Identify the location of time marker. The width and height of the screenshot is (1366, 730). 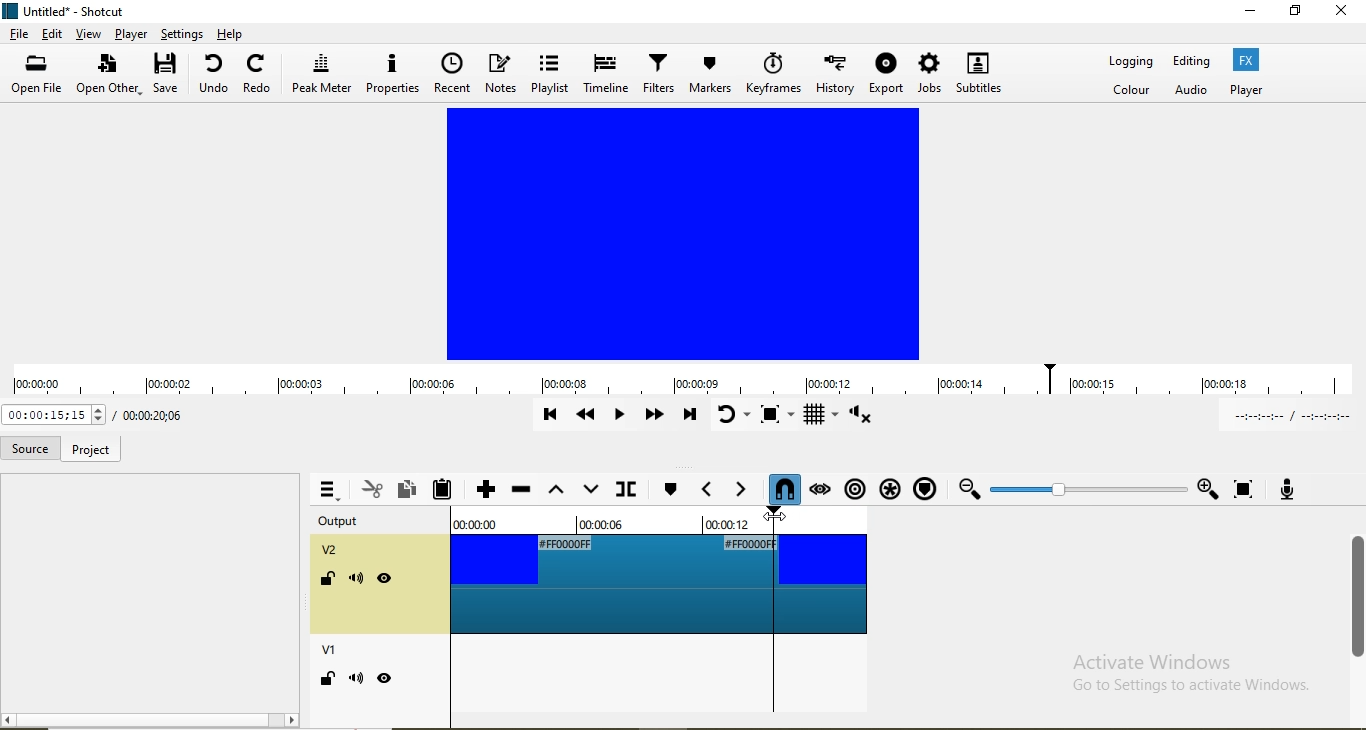
(775, 603).